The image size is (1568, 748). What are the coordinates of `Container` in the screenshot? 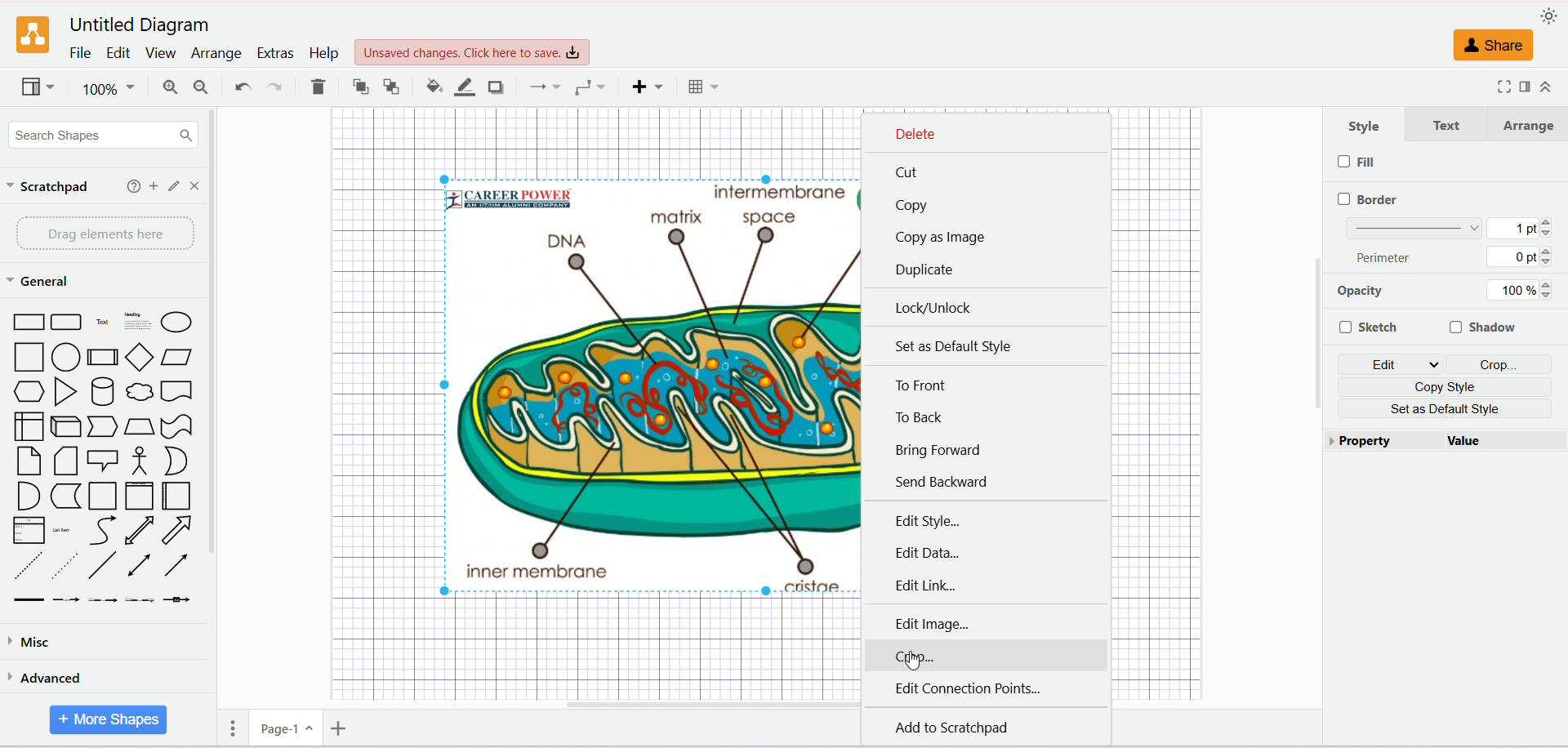 It's located at (104, 496).